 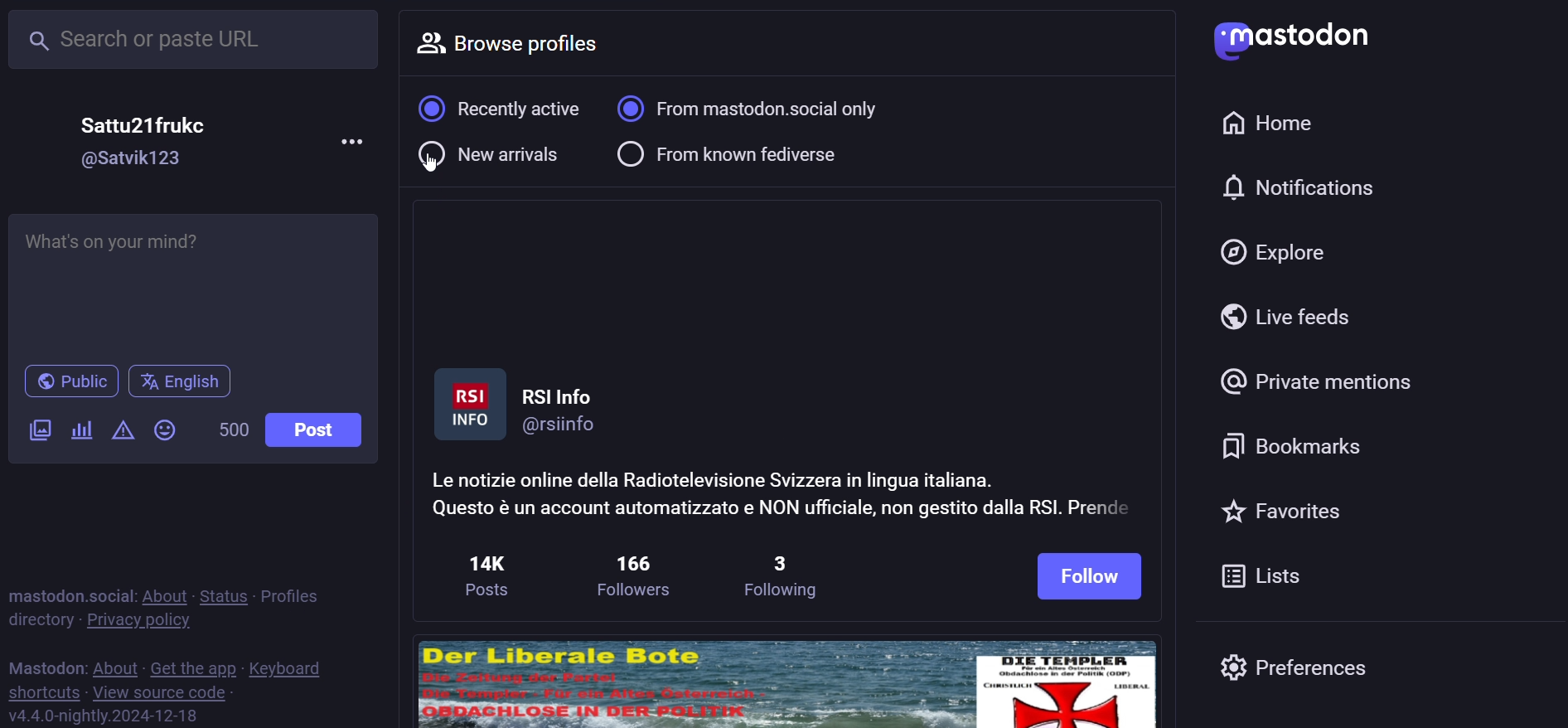 What do you see at coordinates (193, 667) in the screenshot?
I see `get the app` at bounding box center [193, 667].